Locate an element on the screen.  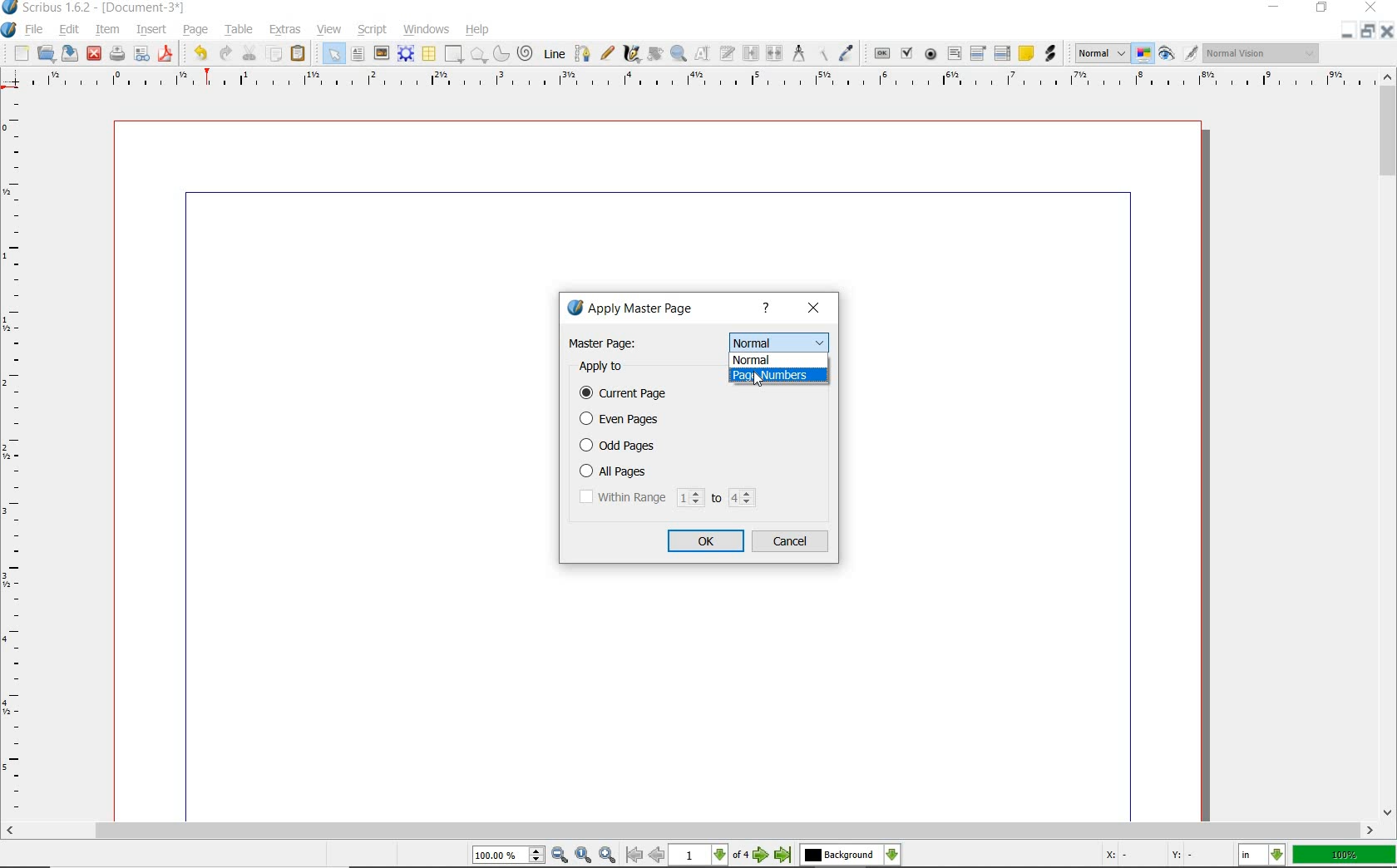
Zoom 100.00% is located at coordinates (508, 855).